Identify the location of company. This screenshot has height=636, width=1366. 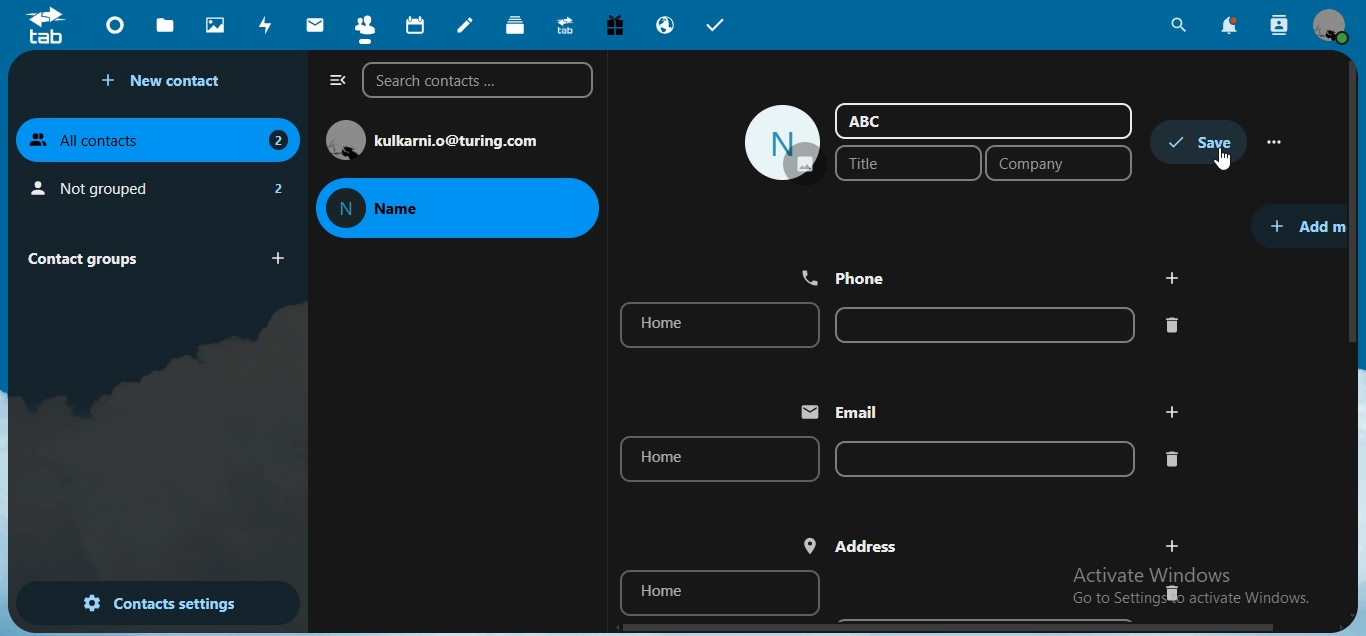
(1059, 164).